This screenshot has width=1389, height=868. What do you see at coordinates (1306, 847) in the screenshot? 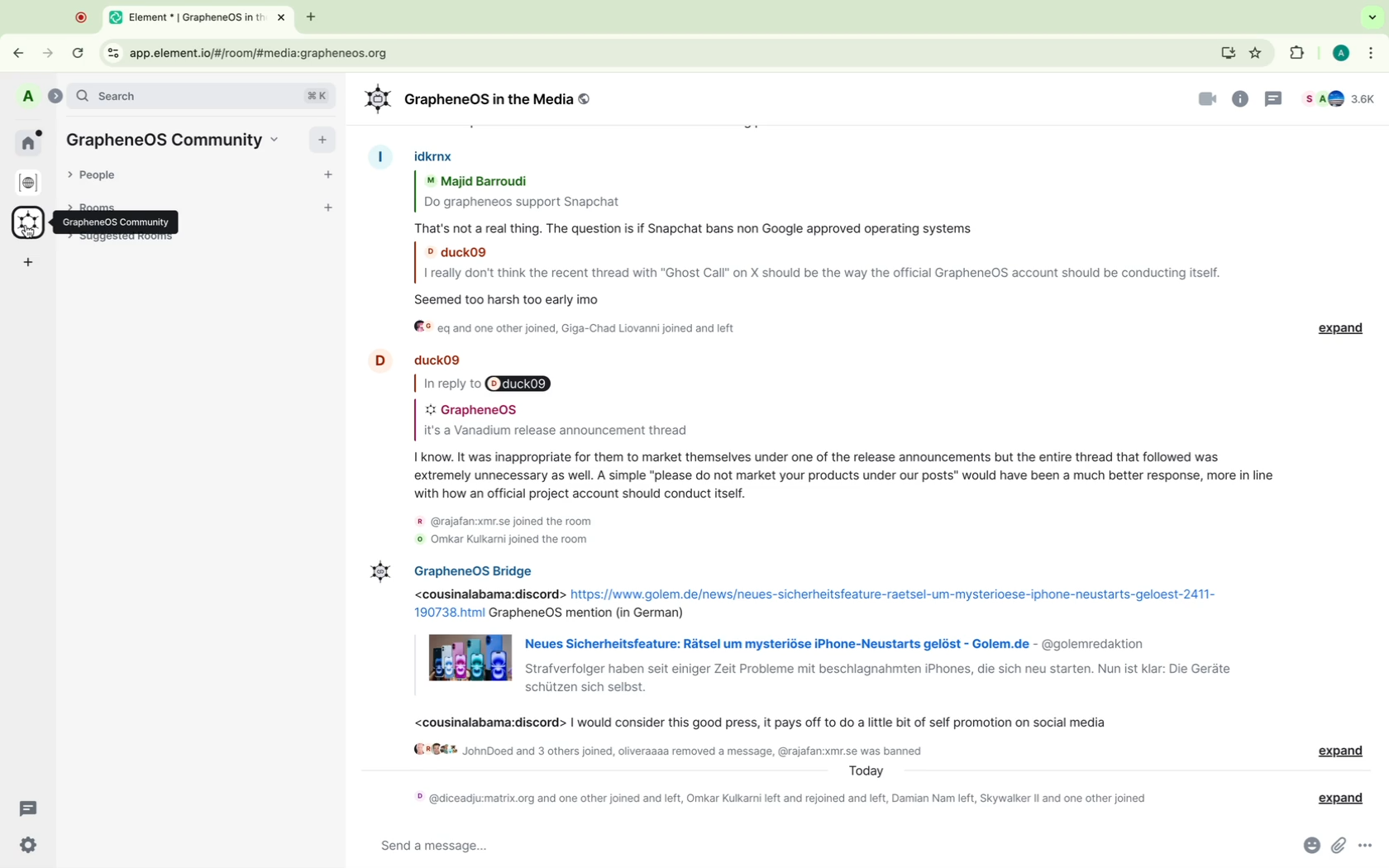
I see `emojis` at bounding box center [1306, 847].